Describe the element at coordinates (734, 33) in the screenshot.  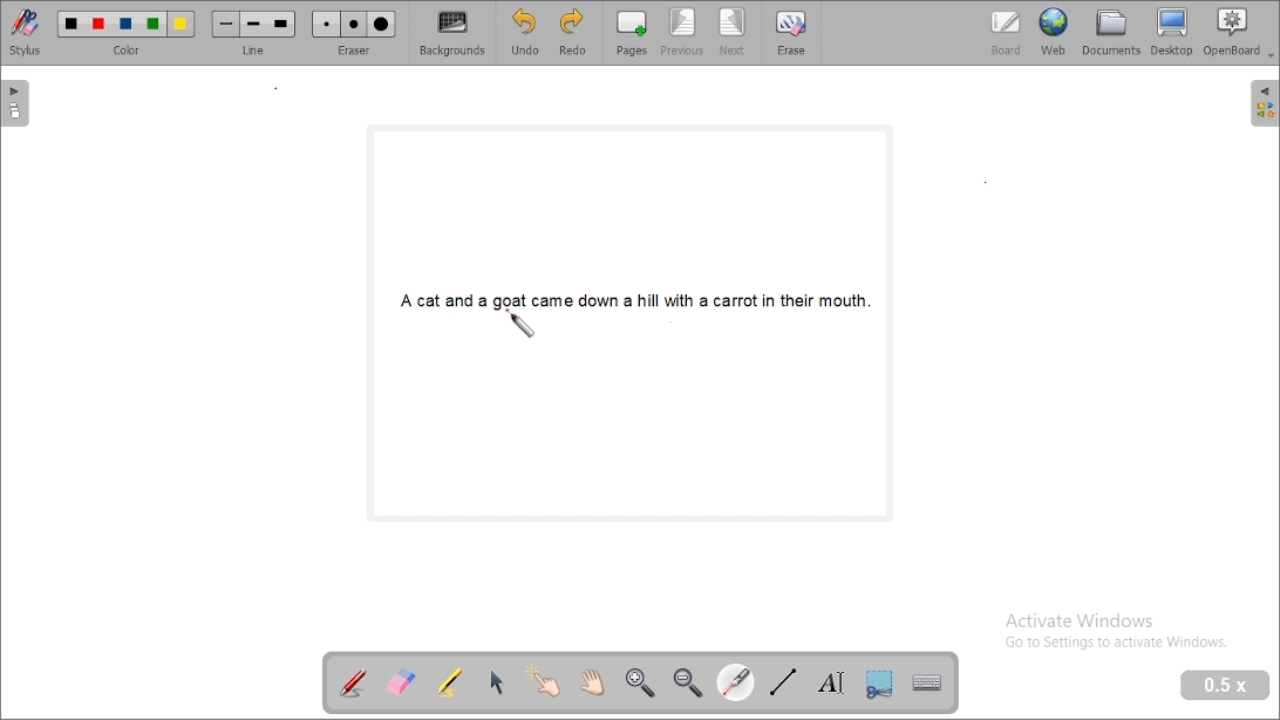
I see `next` at that location.